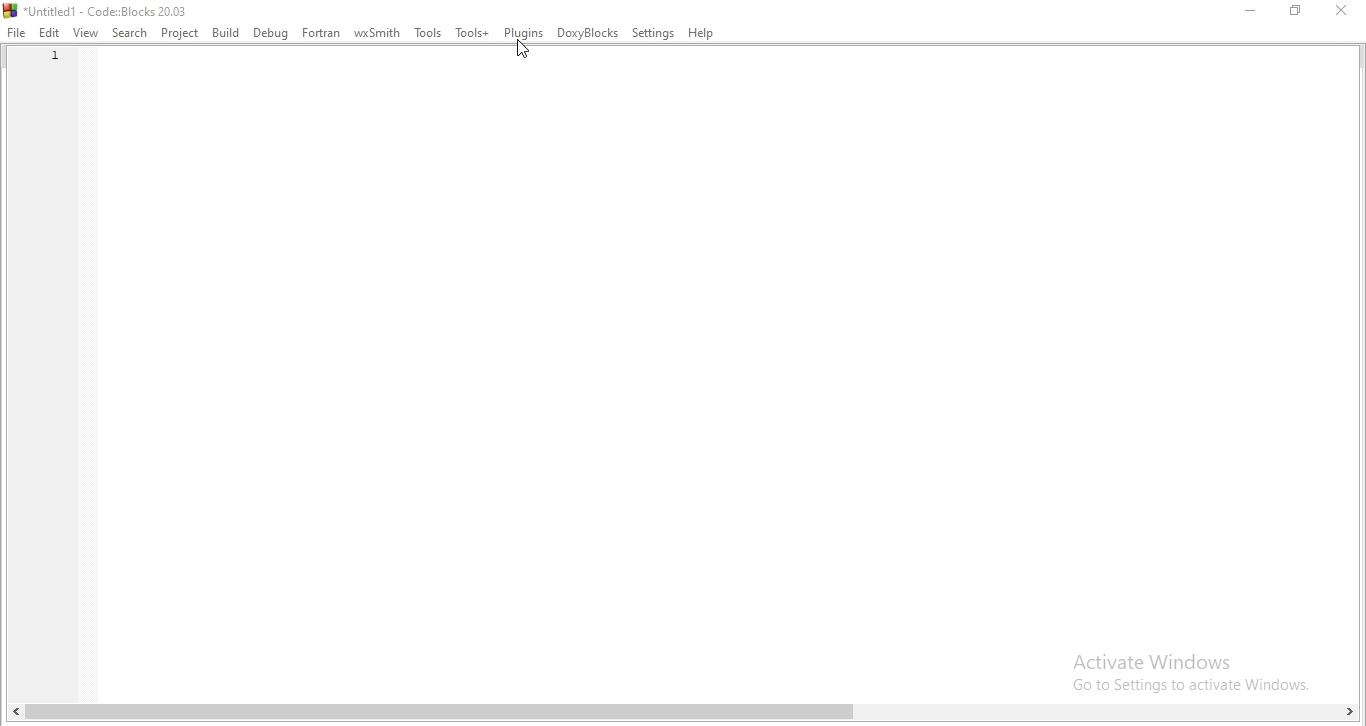 The height and width of the screenshot is (726, 1366). What do you see at coordinates (725, 377) in the screenshot?
I see `coding area` at bounding box center [725, 377].